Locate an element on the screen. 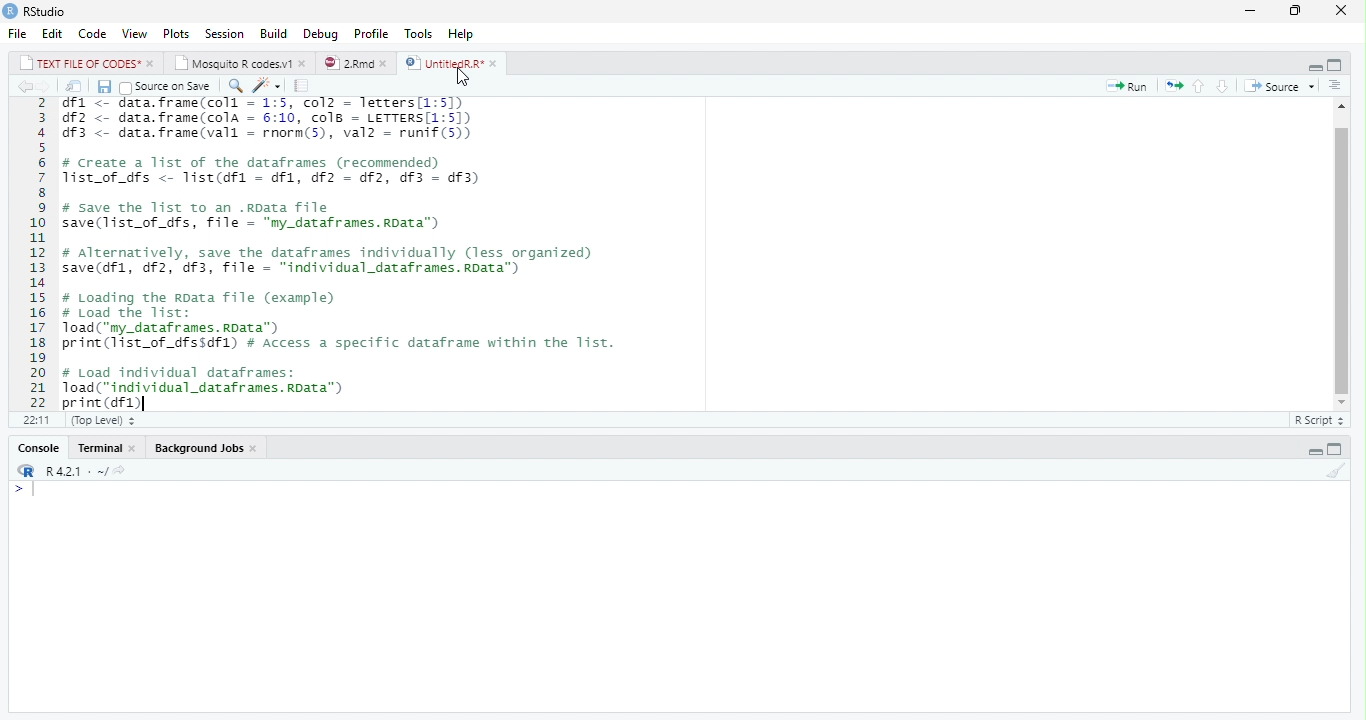 This screenshot has height=720, width=1366. Session is located at coordinates (224, 33).